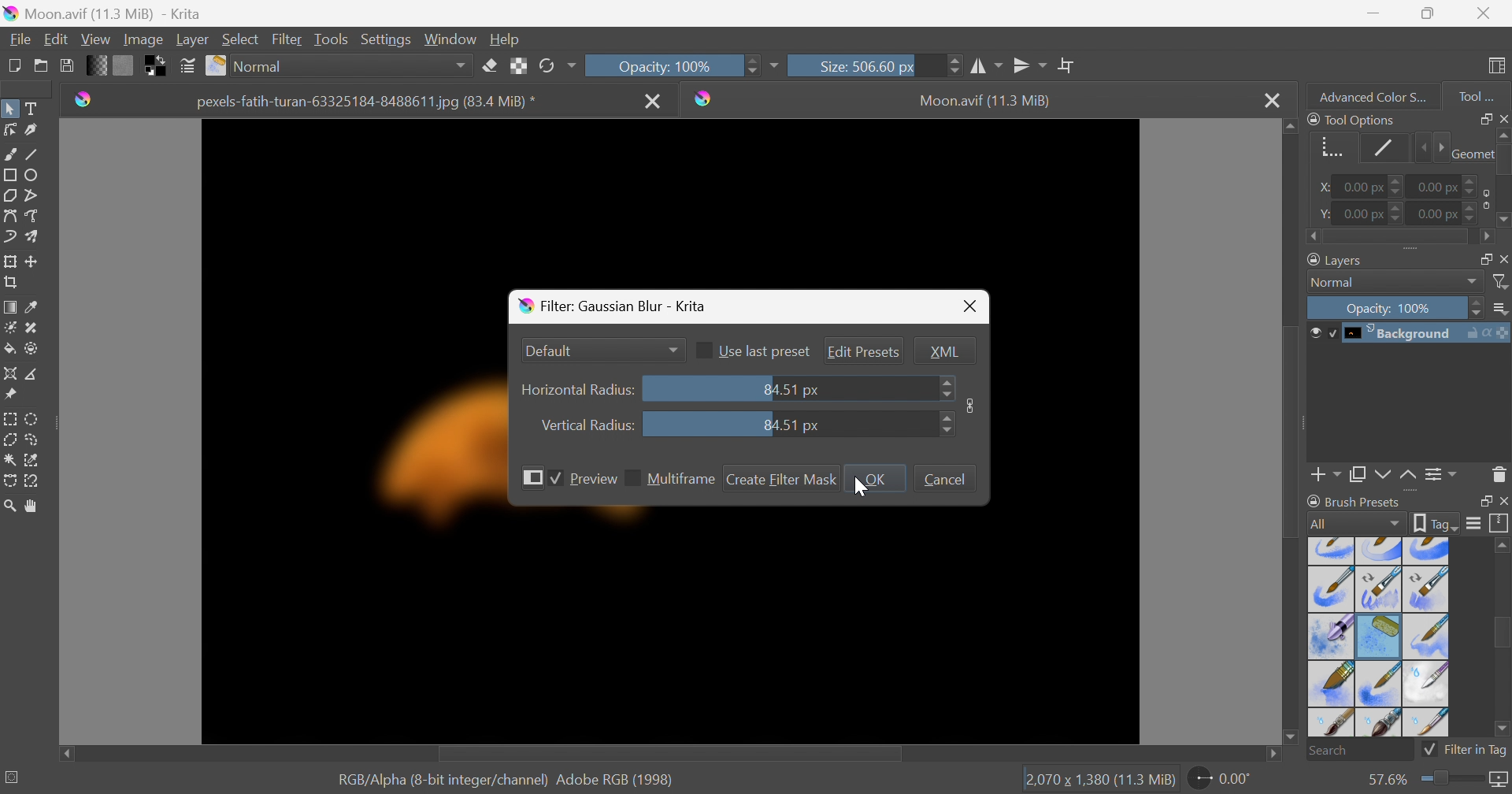 The width and height of the screenshot is (1512, 794). Describe the element at coordinates (618, 307) in the screenshot. I see `Filter: Gaussian Blur - Krita` at that location.